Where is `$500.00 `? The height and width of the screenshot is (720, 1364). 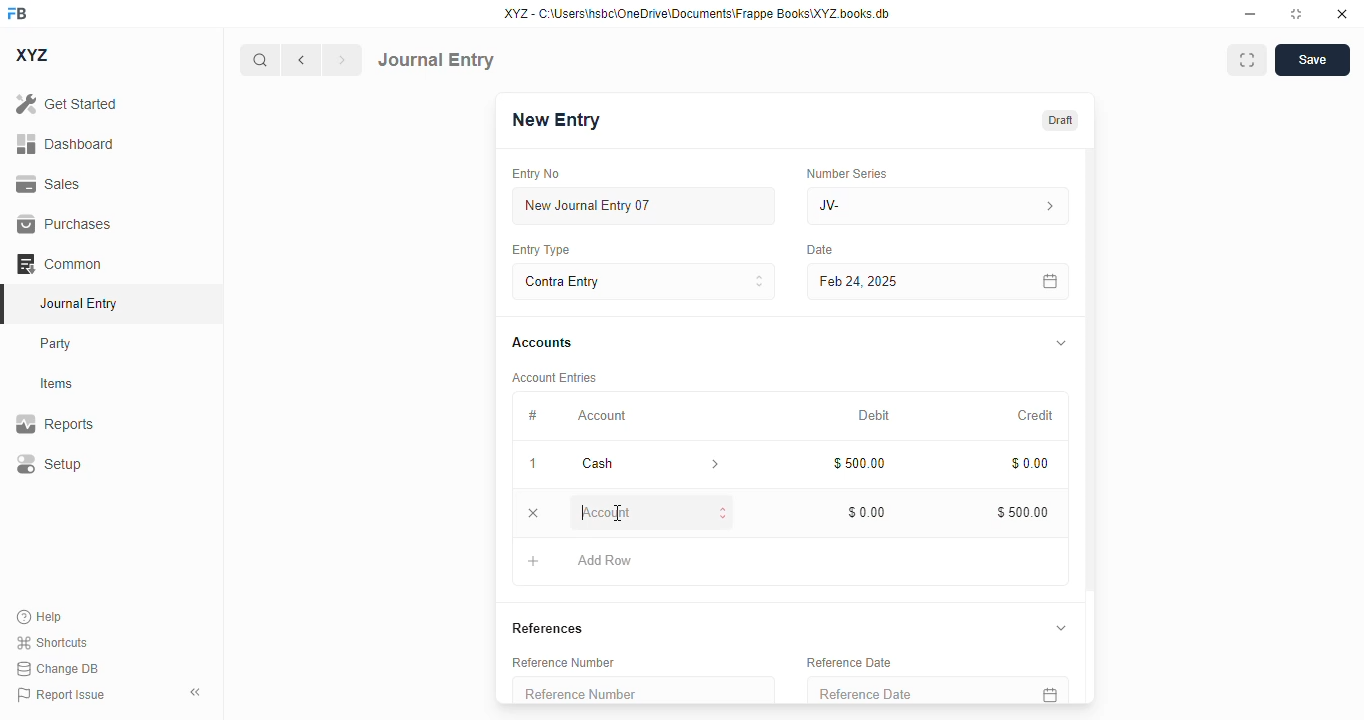 $500.00  is located at coordinates (860, 464).